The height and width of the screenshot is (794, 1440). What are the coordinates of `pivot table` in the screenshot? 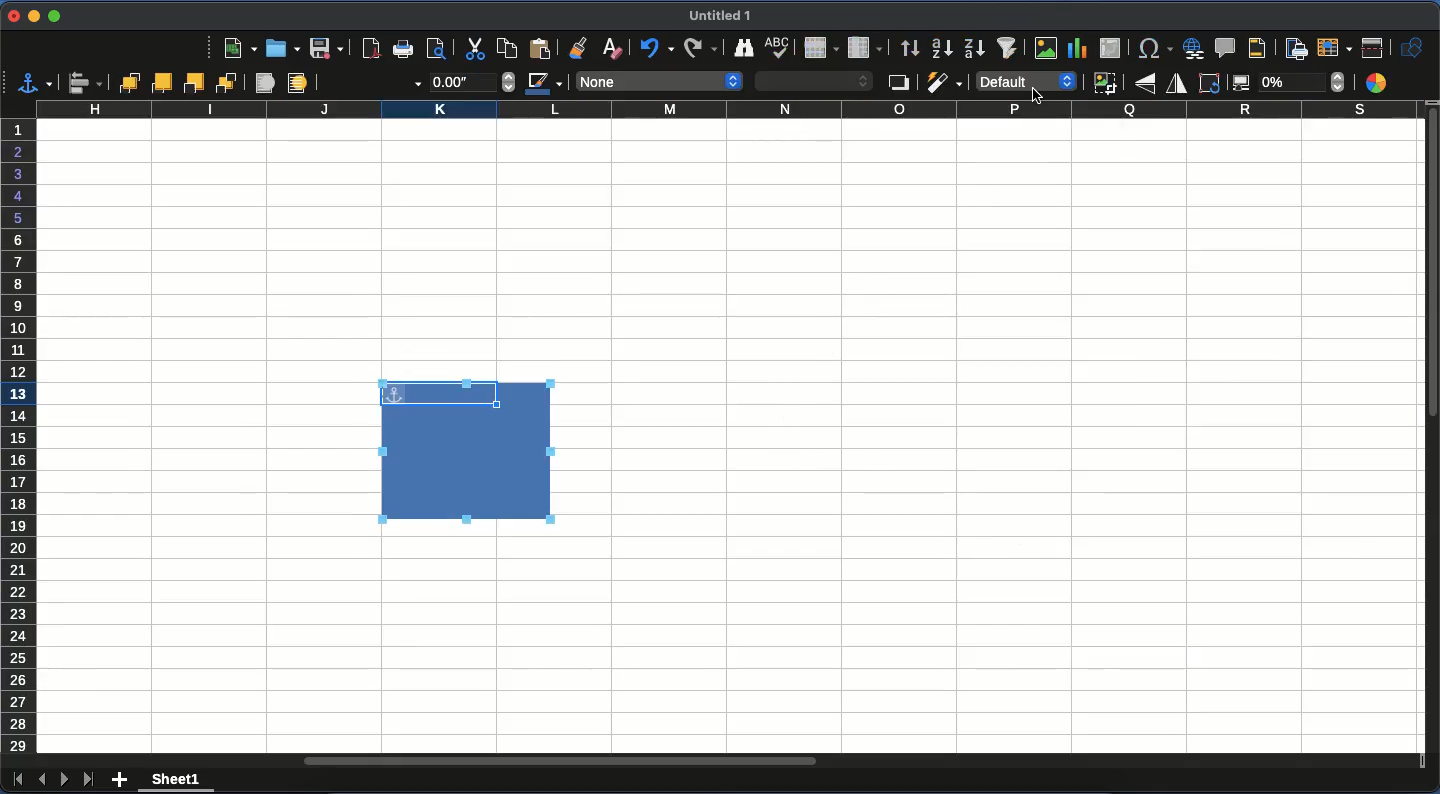 It's located at (1113, 48).